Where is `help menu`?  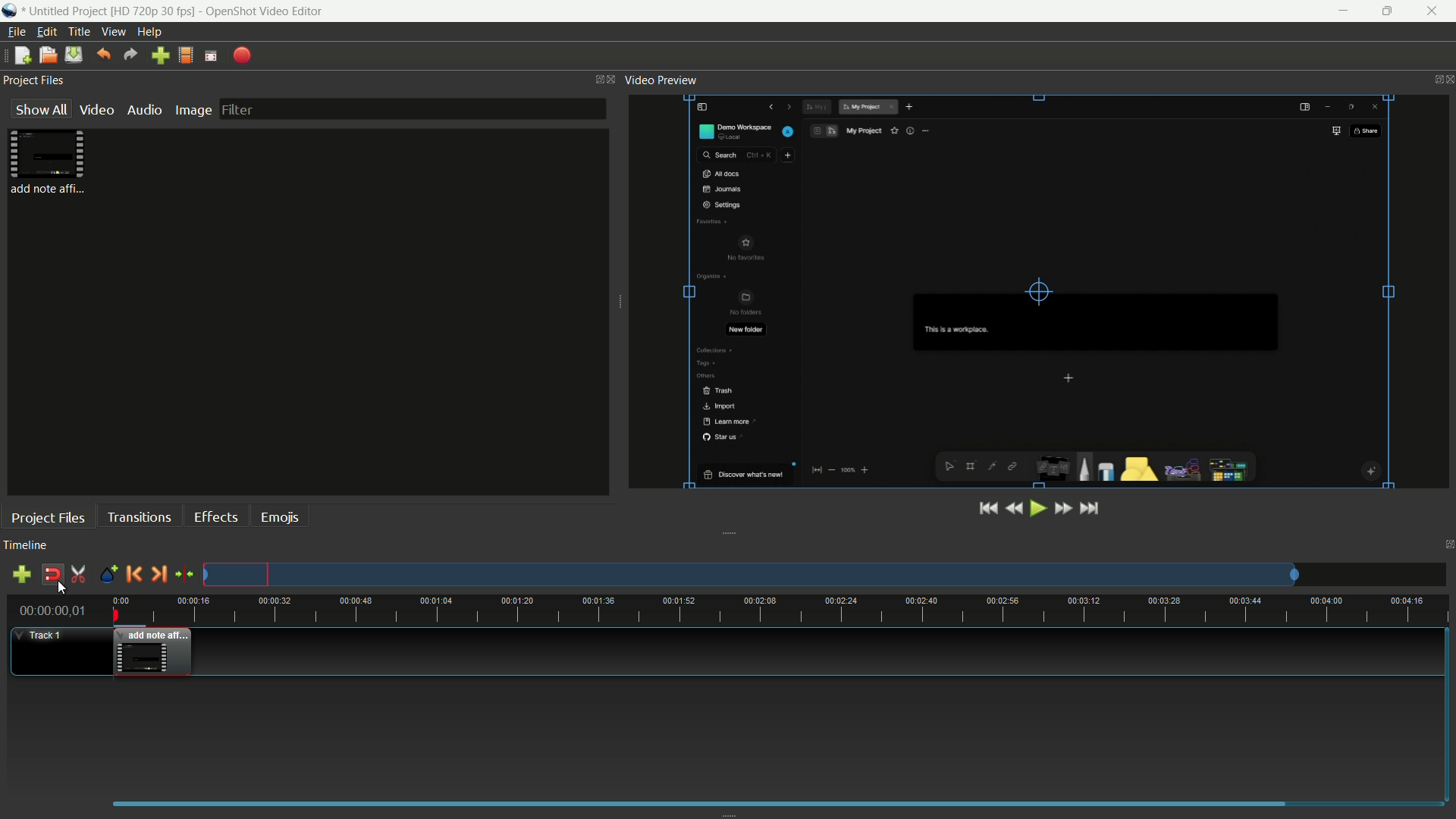 help menu is located at coordinates (149, 31).